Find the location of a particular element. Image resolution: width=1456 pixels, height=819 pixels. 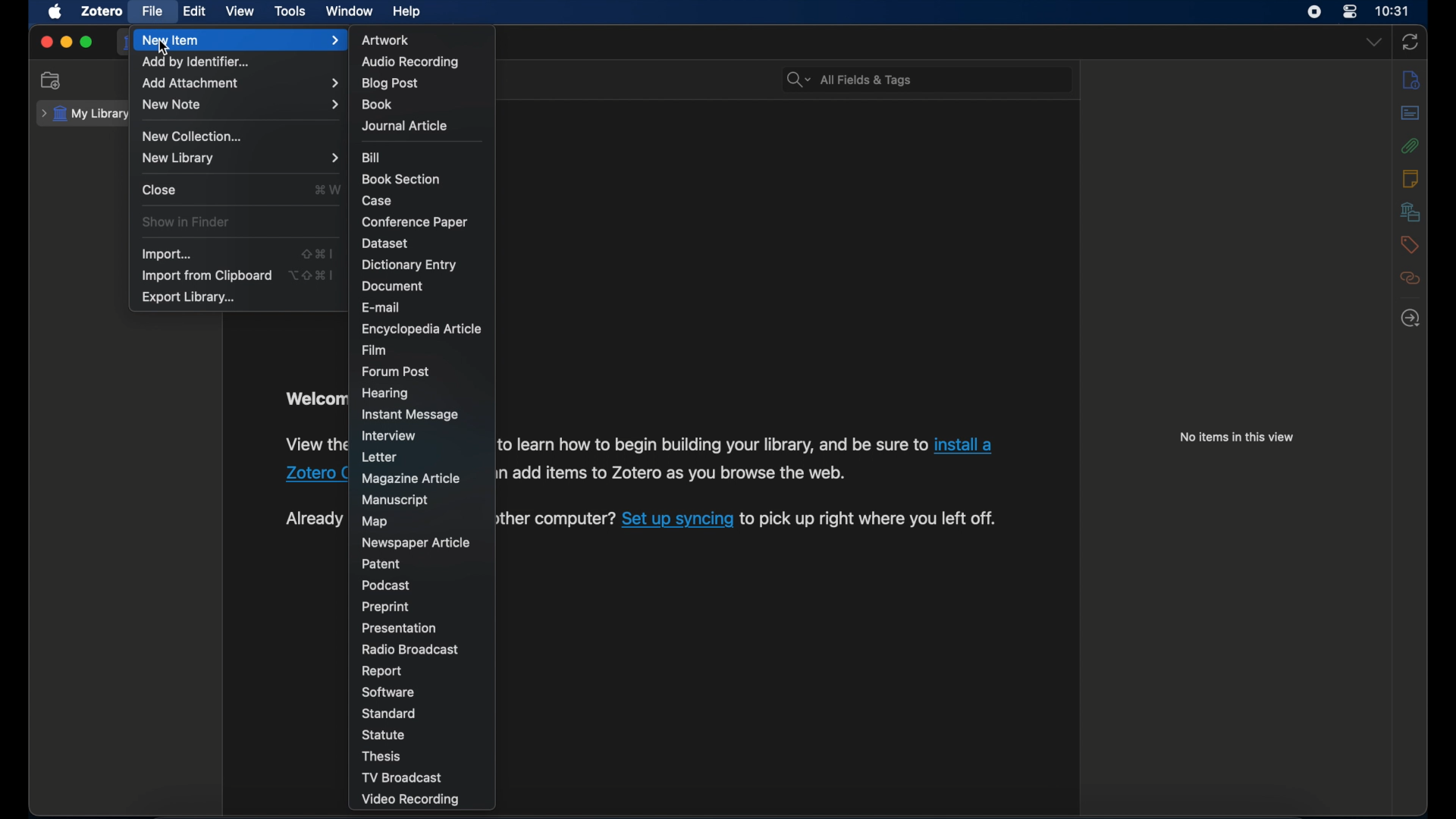

shortcut is located at coordinates (328, 189).